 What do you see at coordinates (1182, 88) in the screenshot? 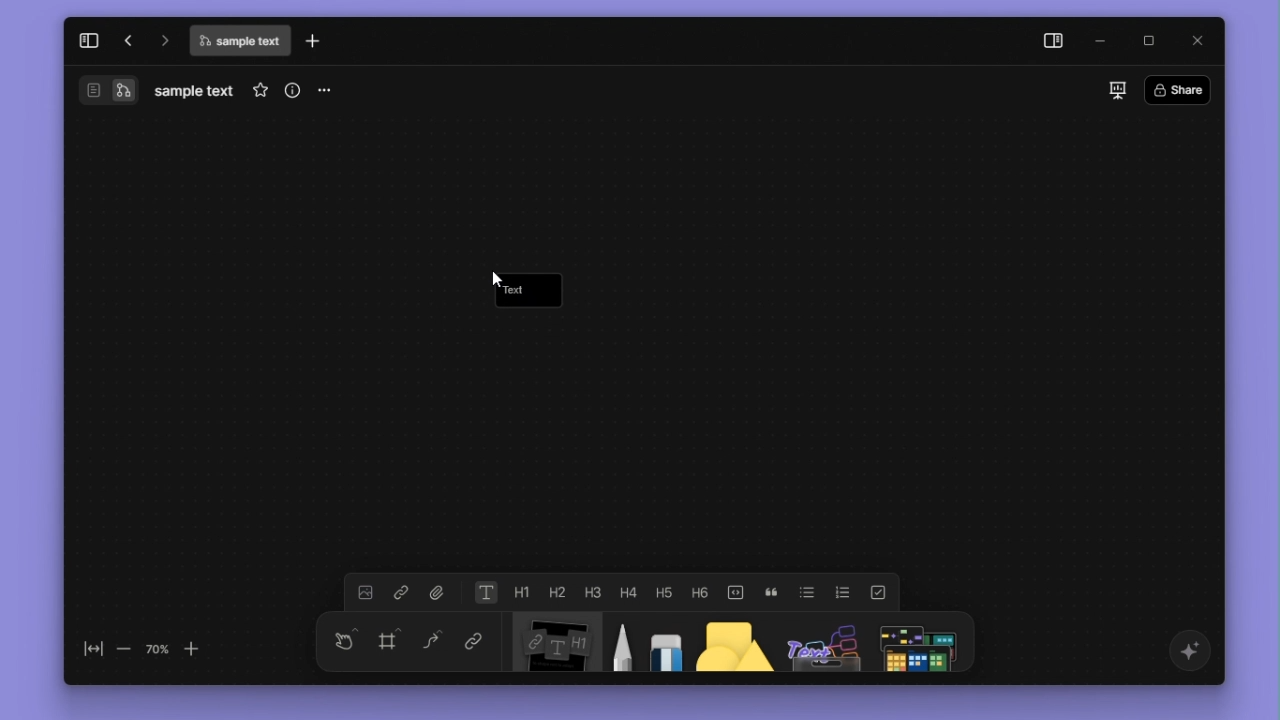
I see `share` at bounding box center [1182, 88].